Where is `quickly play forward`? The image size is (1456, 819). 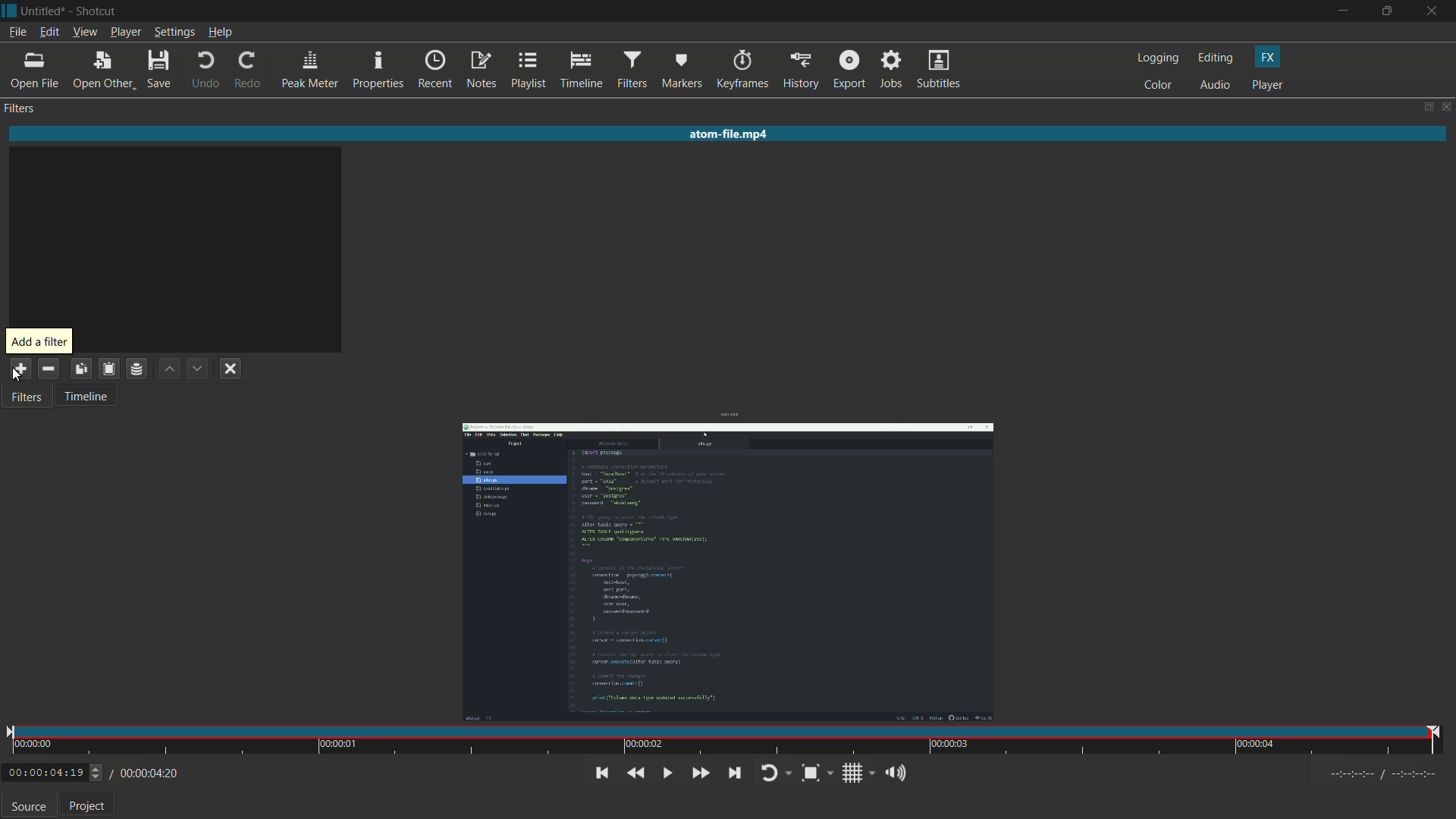 quickly play forward is located at coordinates (698, 773).